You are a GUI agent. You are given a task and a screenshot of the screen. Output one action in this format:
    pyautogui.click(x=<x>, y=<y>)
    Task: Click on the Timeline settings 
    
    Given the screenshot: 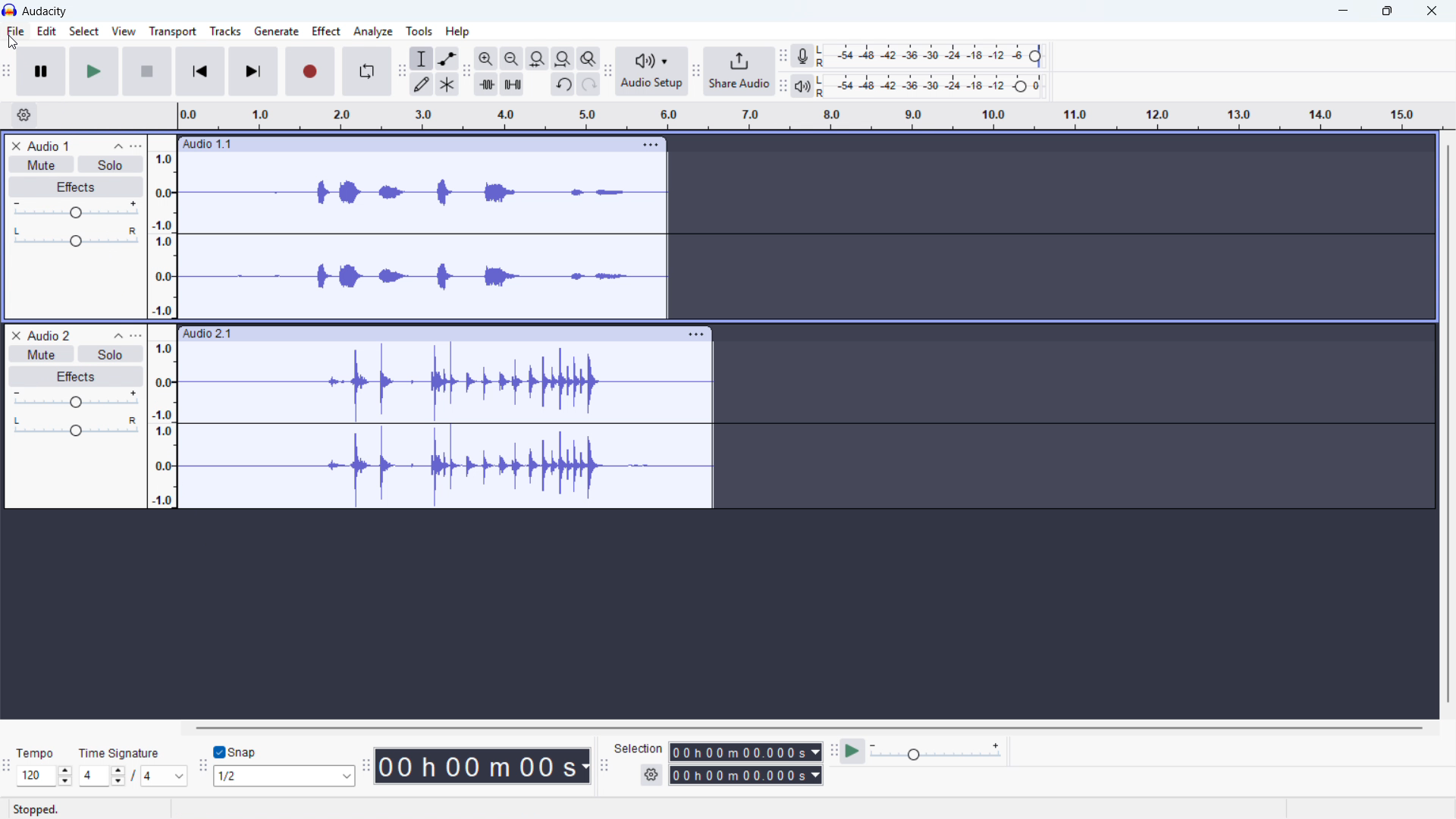 What is the action you would take?
    pyautogui.click(x=24, y=115)
    